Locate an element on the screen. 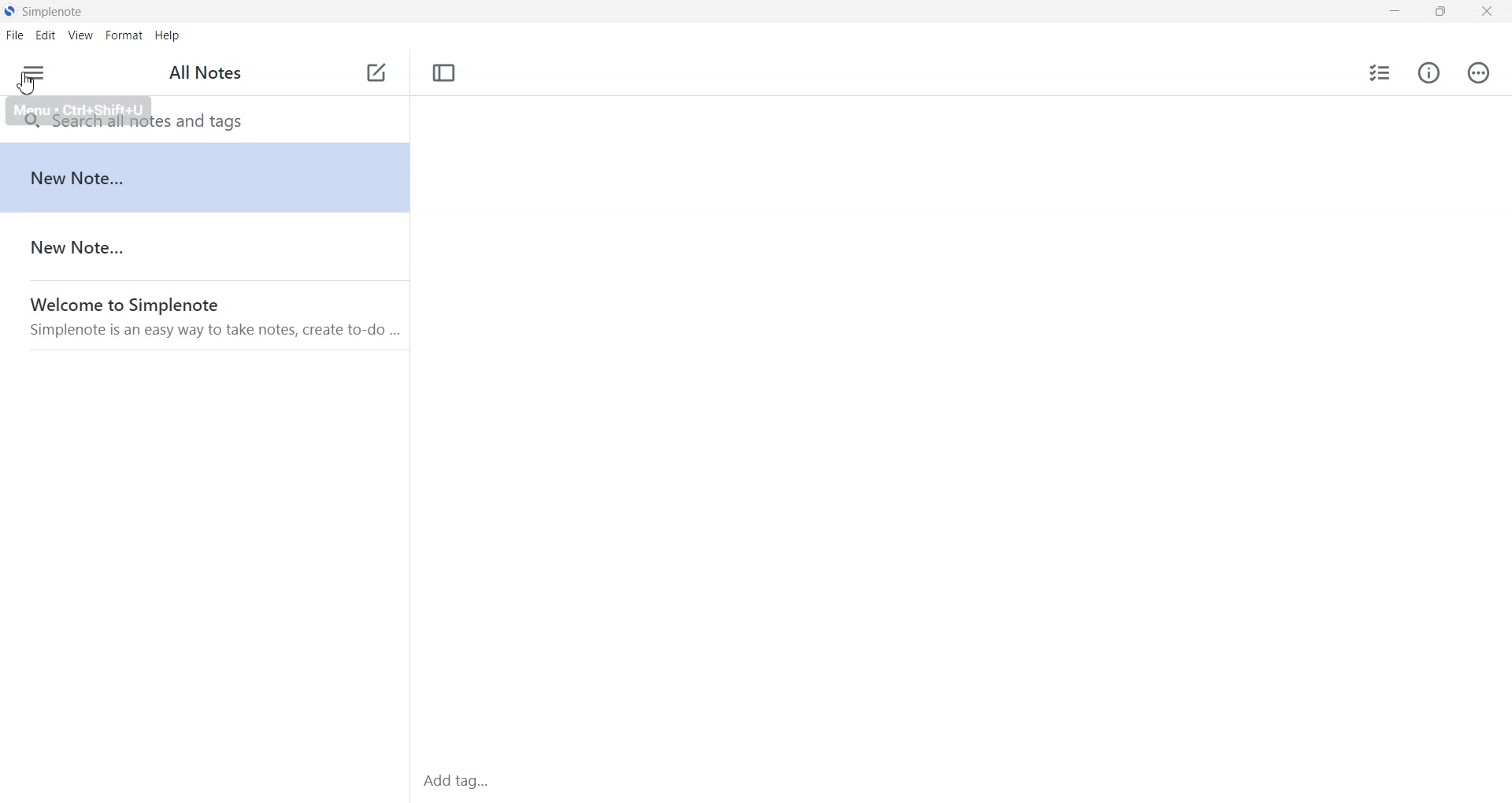 The image size is (1512, 803). Actions is located at coordinates (1479, 72).